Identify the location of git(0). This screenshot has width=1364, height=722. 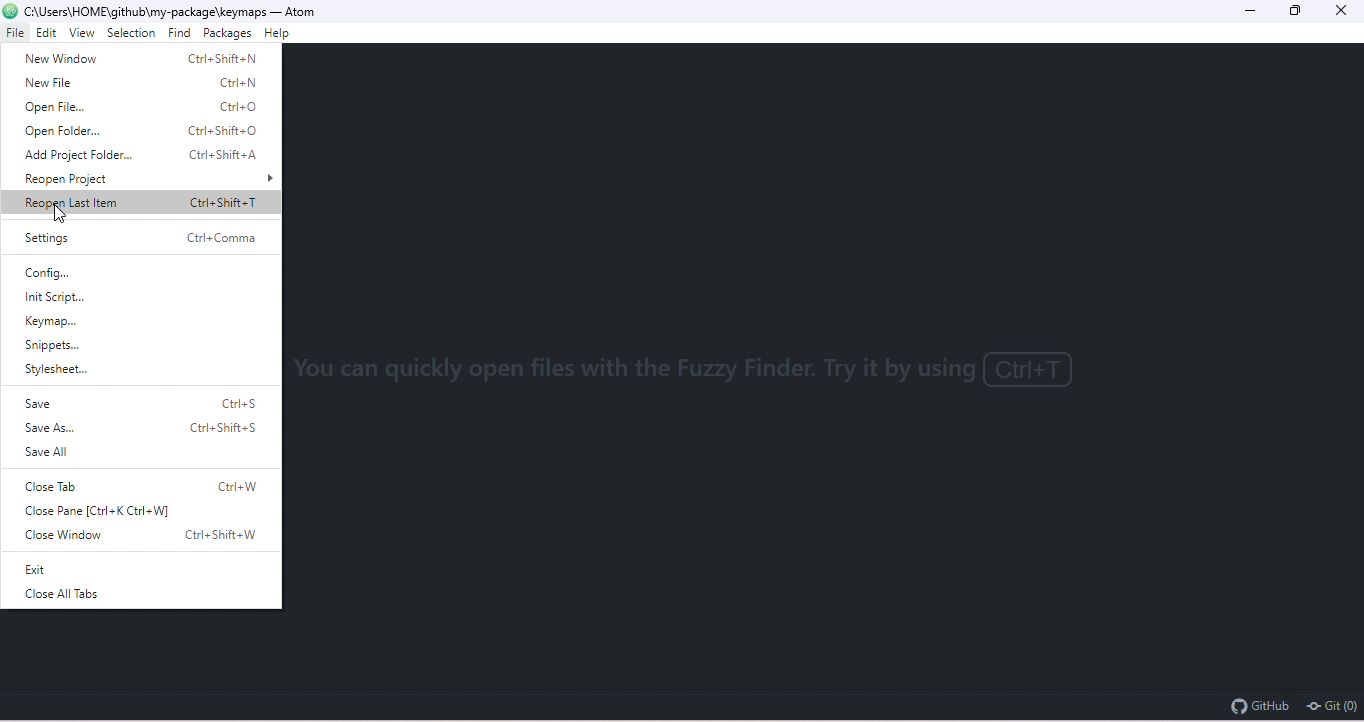
(1330, 705).